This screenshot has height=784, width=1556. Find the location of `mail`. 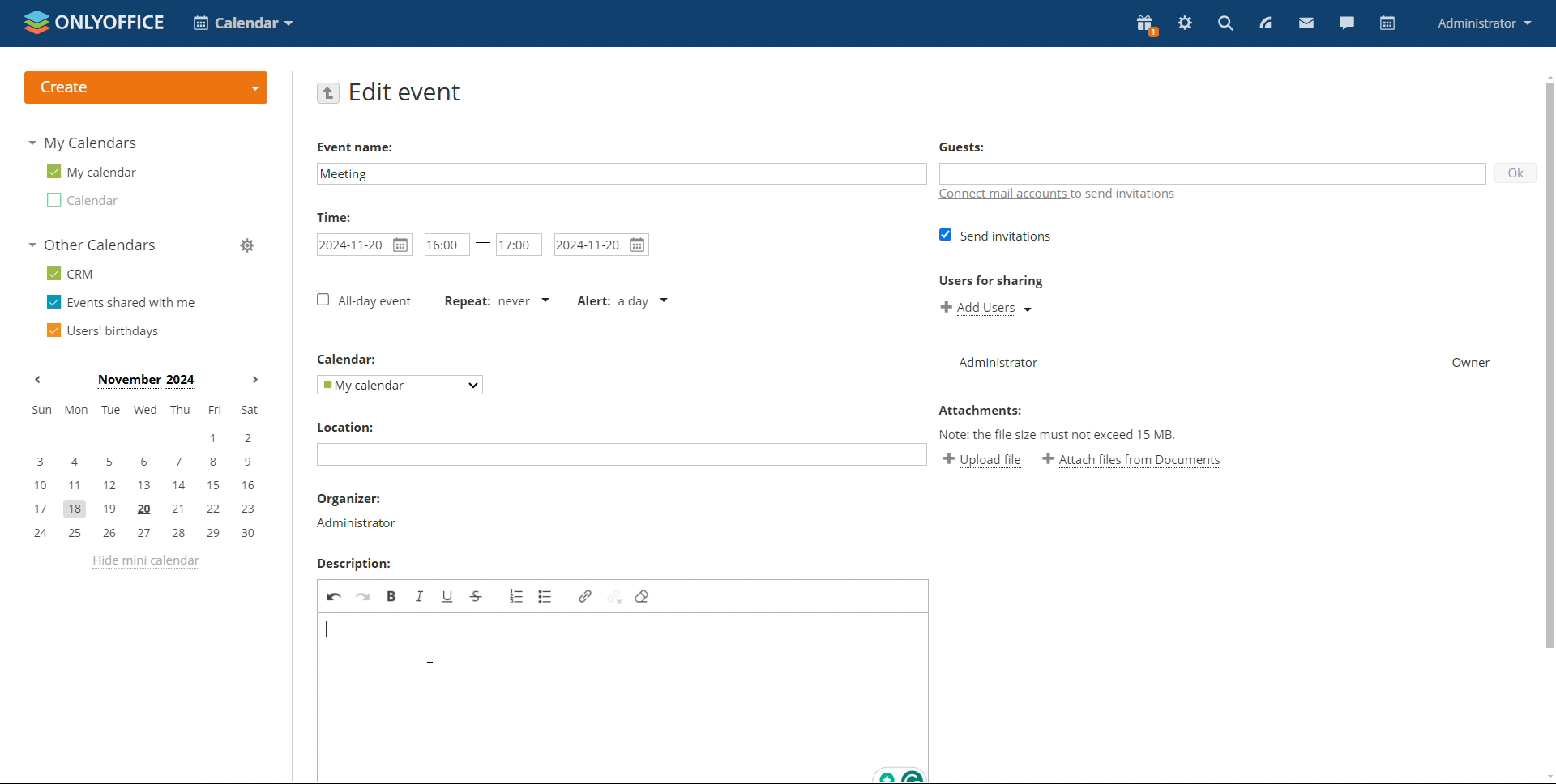

mail is located at coordinates (1306, 23).